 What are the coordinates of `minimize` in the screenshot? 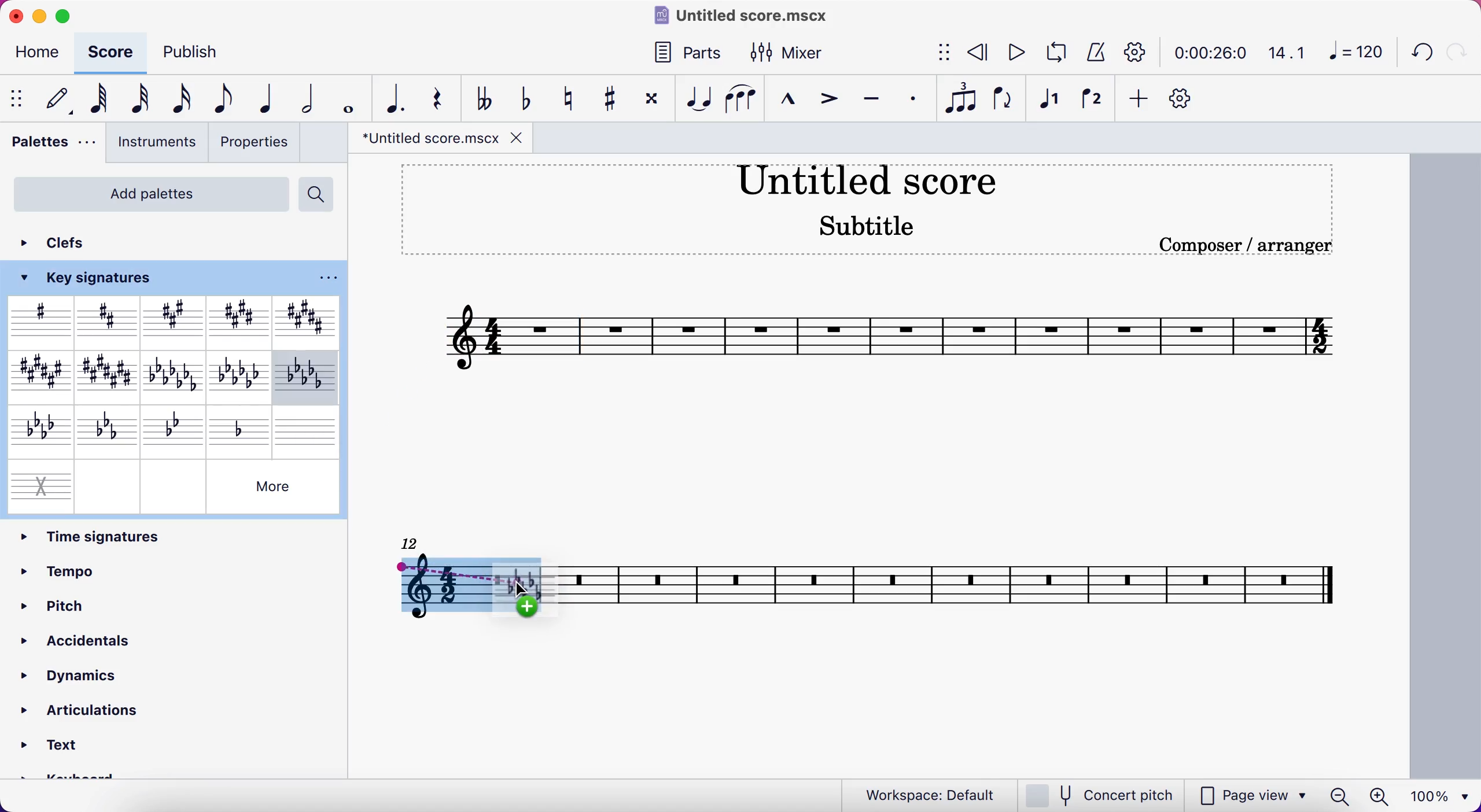 It's located at (43, 16).